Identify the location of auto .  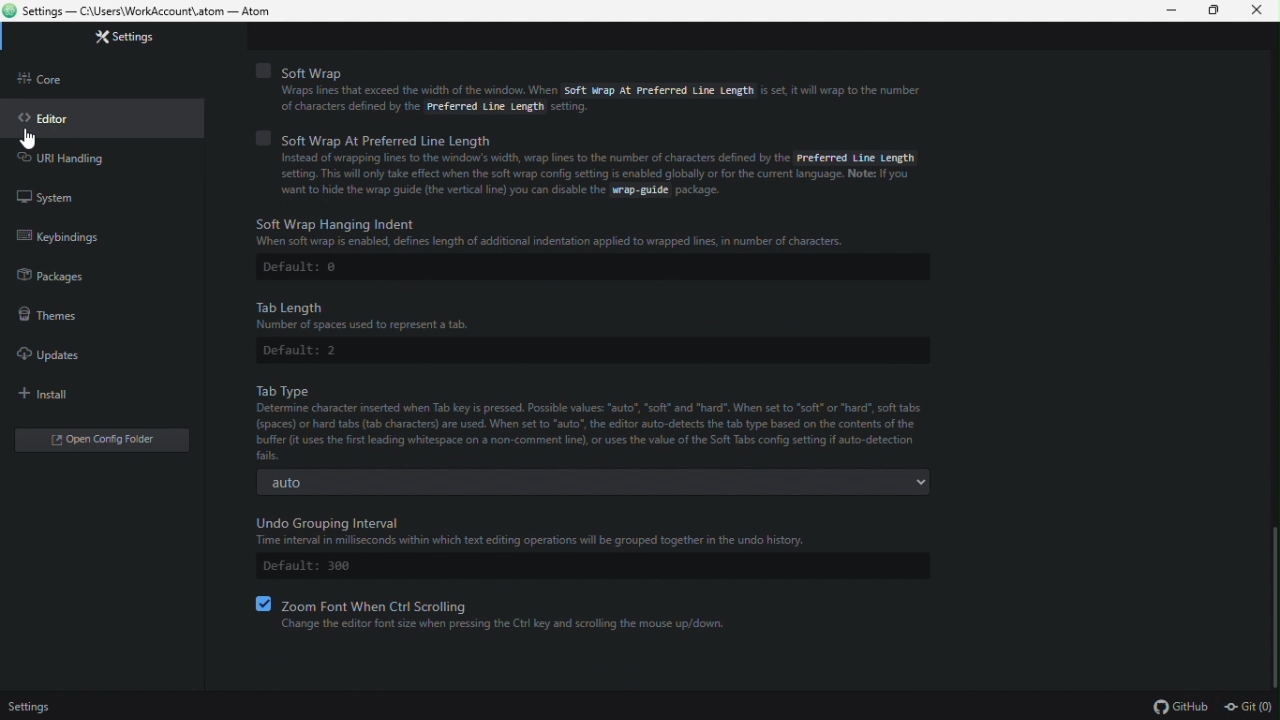
(598, 485).